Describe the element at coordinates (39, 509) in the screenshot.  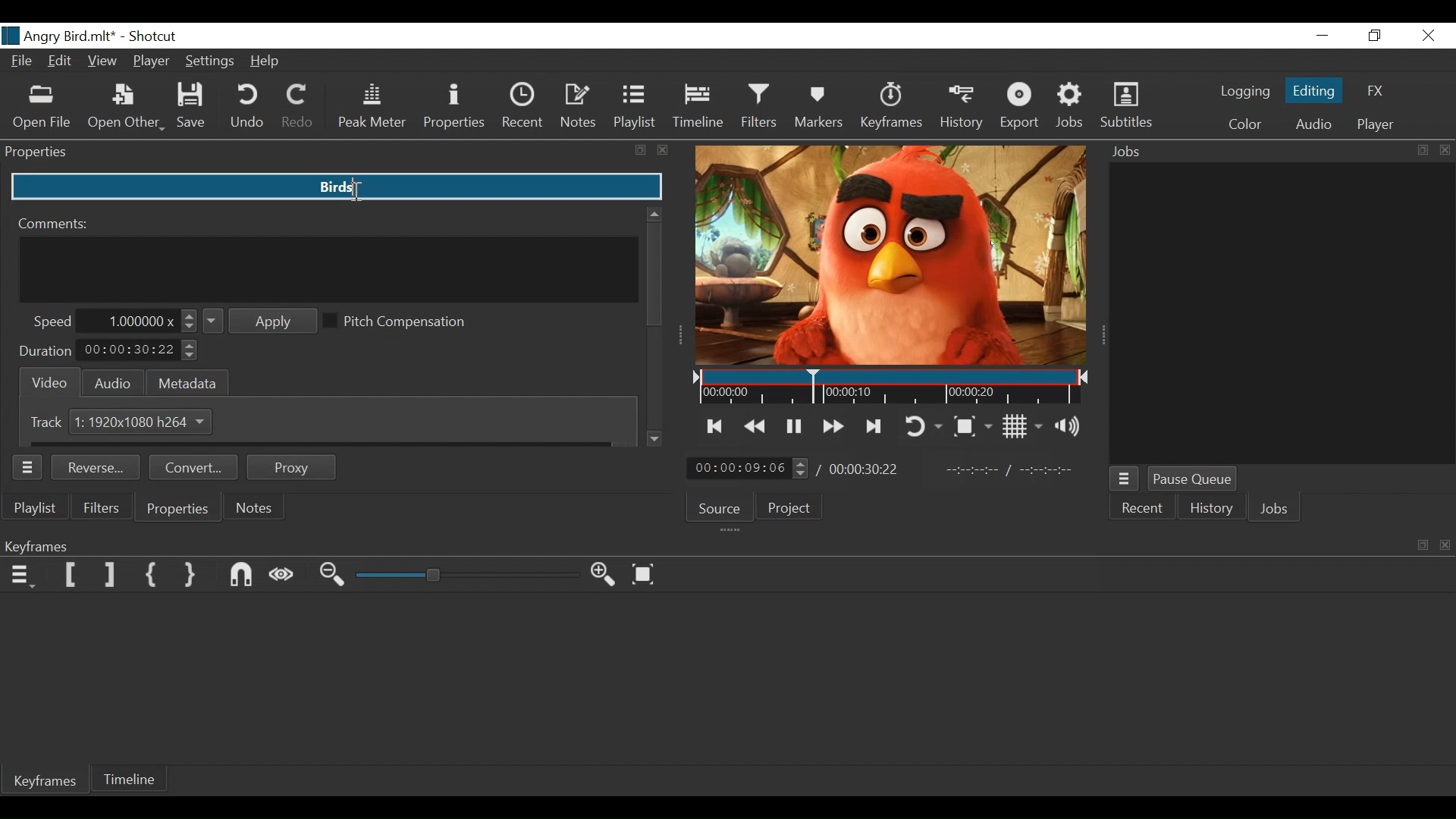
I see `Playlist` at that location.